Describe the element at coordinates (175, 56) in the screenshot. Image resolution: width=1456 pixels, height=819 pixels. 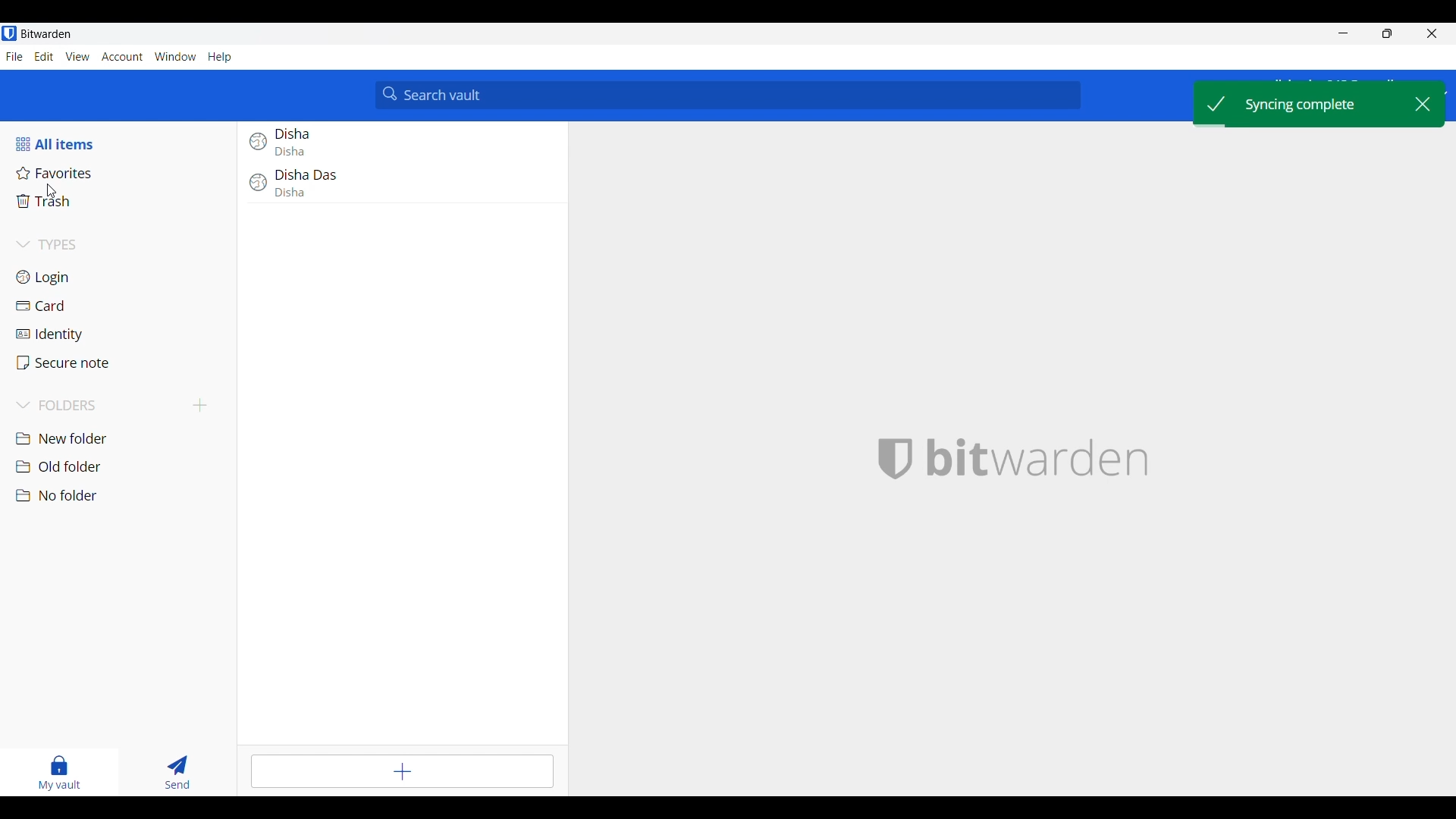
I see `Window menu` at that location.